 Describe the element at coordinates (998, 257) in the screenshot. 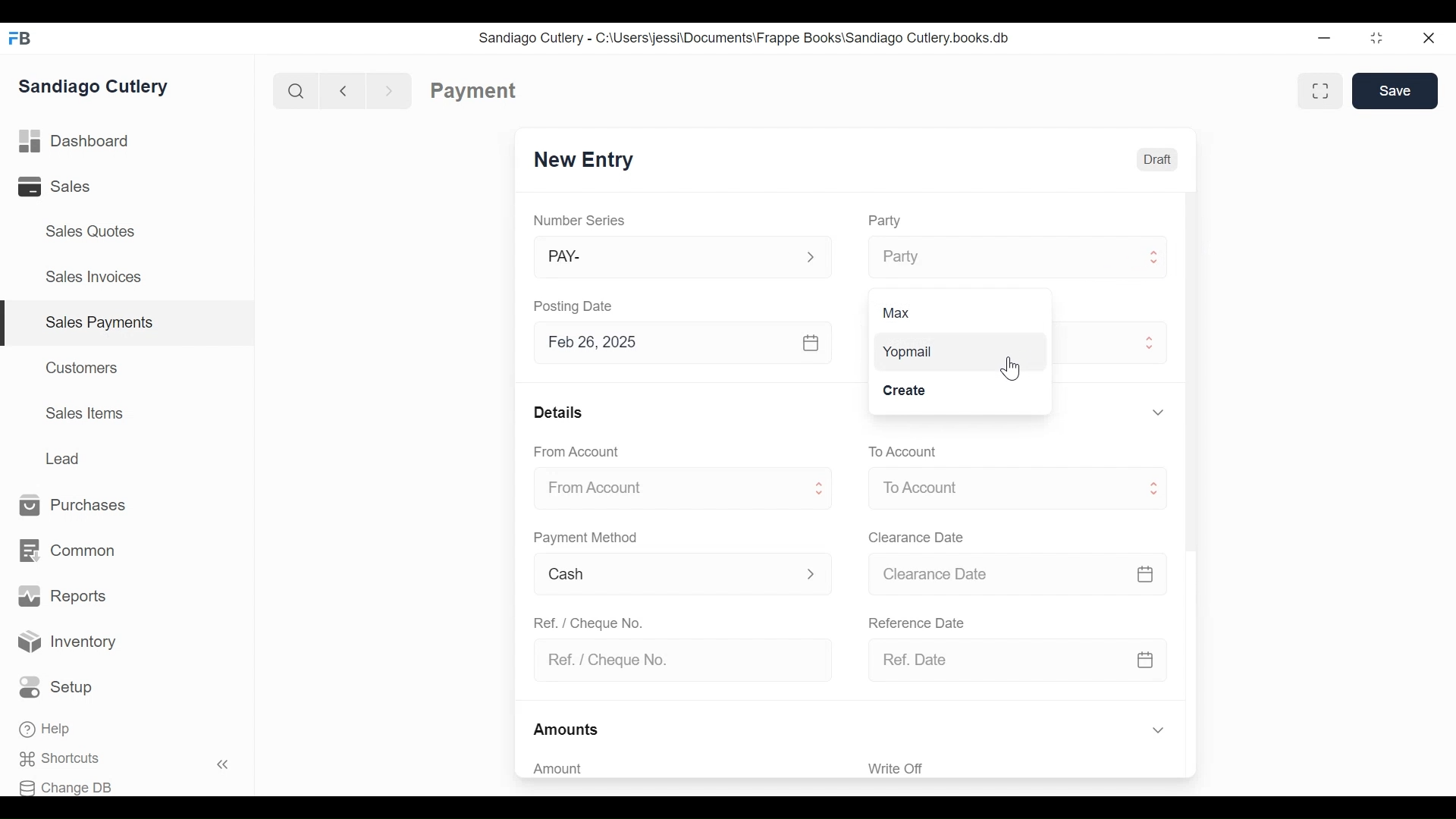

I see `Party` at that location.